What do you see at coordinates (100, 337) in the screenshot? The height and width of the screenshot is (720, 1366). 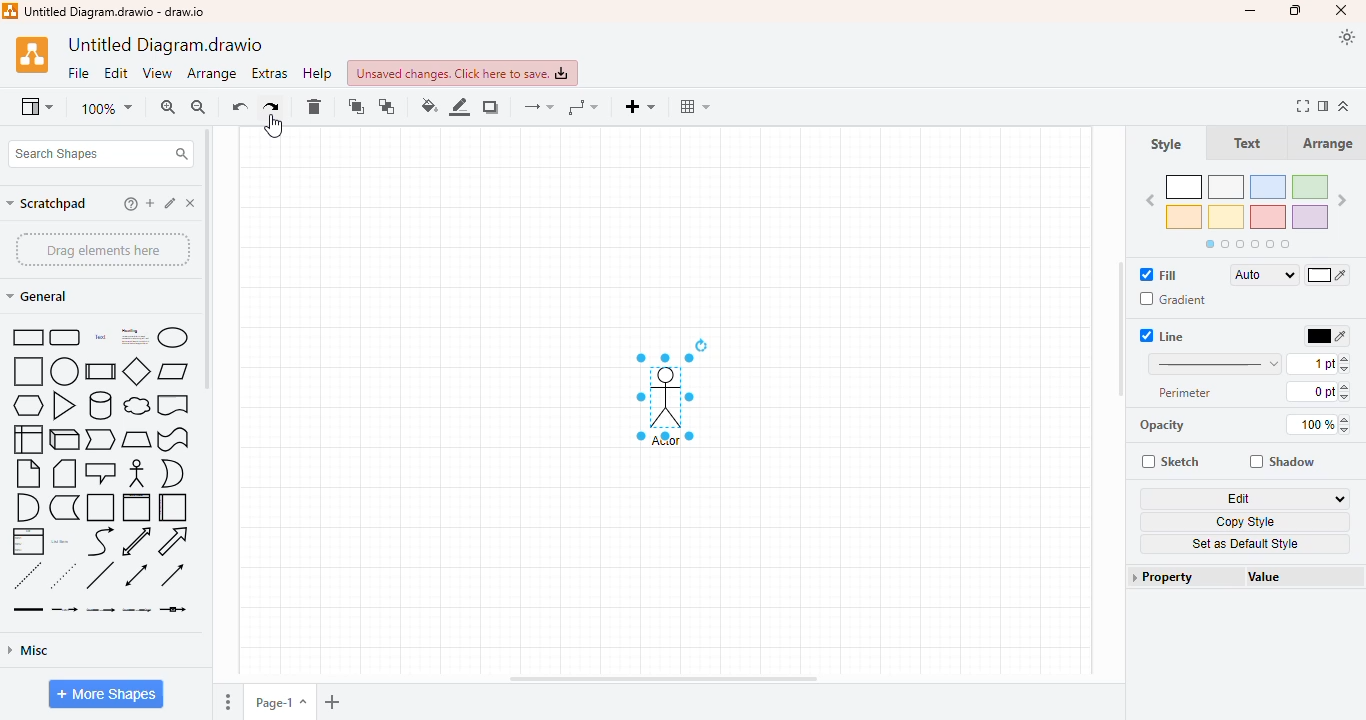 I see `text` at bounding box center [100, 337].